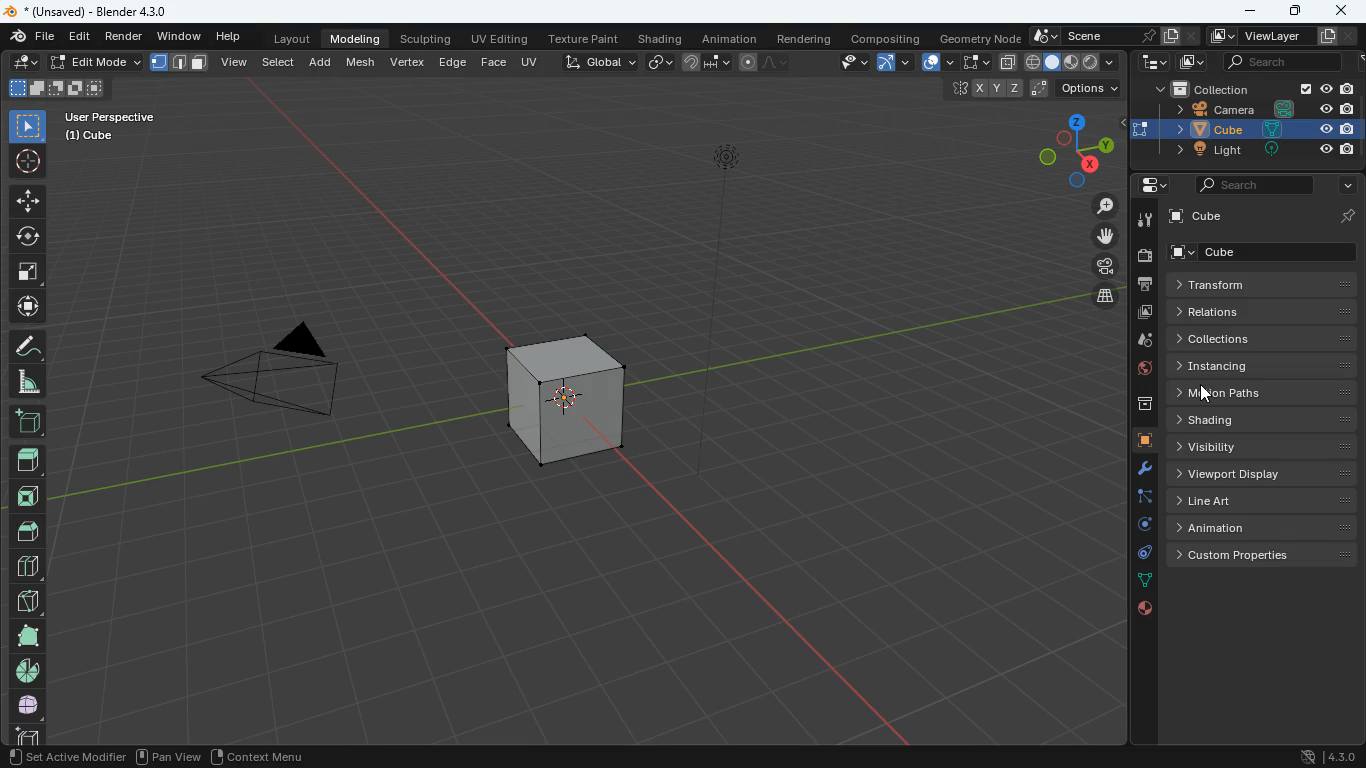 This screenshot has width=1366, height=768. Describe the element at coordinates (1136, 471) in the screenshot. I see `modifier` at that location.